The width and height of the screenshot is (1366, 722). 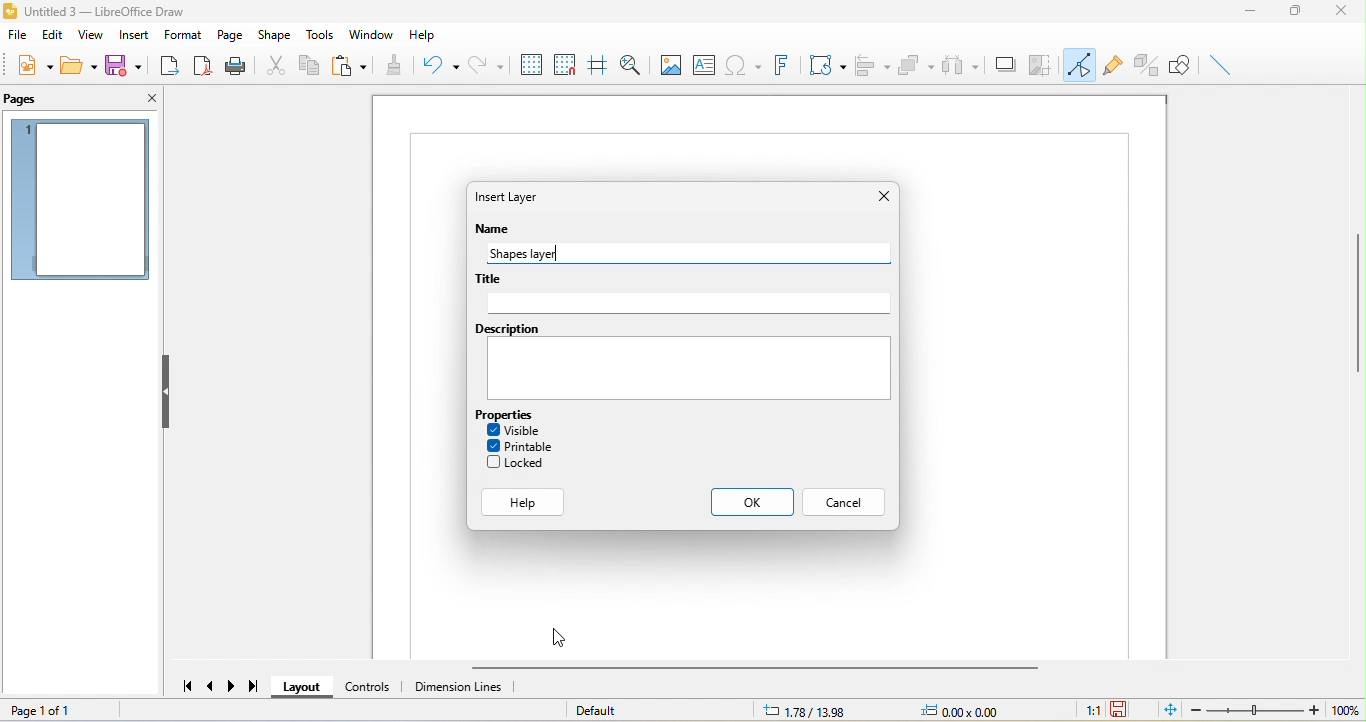 I want to click on title, so click(x=491, y=279).